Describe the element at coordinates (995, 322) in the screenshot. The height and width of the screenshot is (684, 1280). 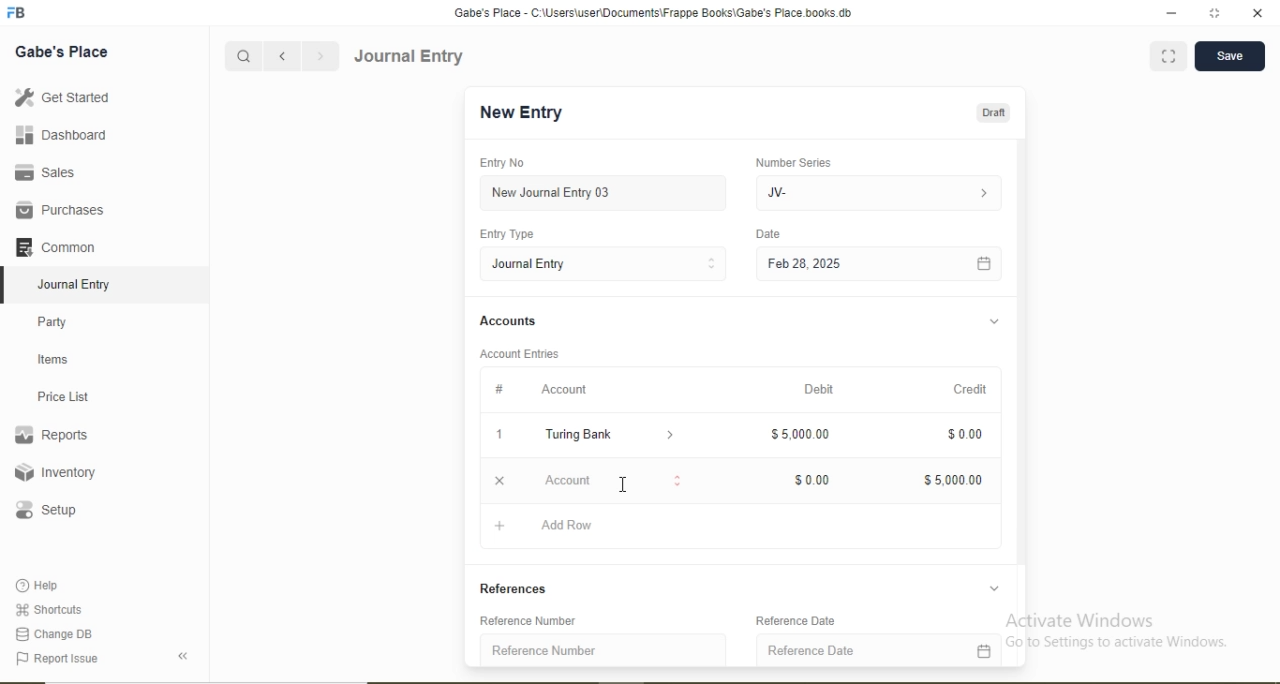
I see `Dropdown` at that location.